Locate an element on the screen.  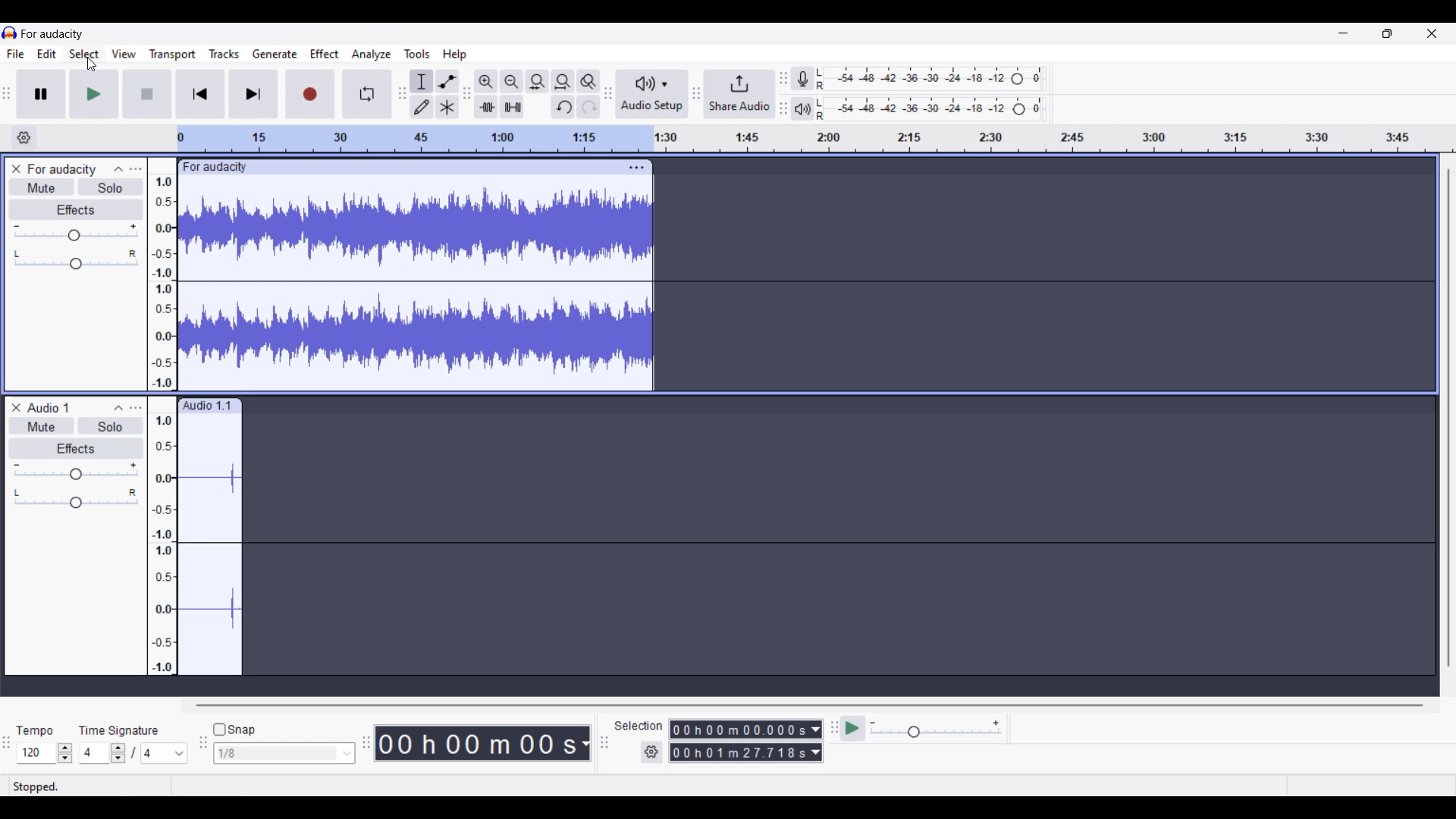
Skip/Select to start is located at coordinates (201, 94).